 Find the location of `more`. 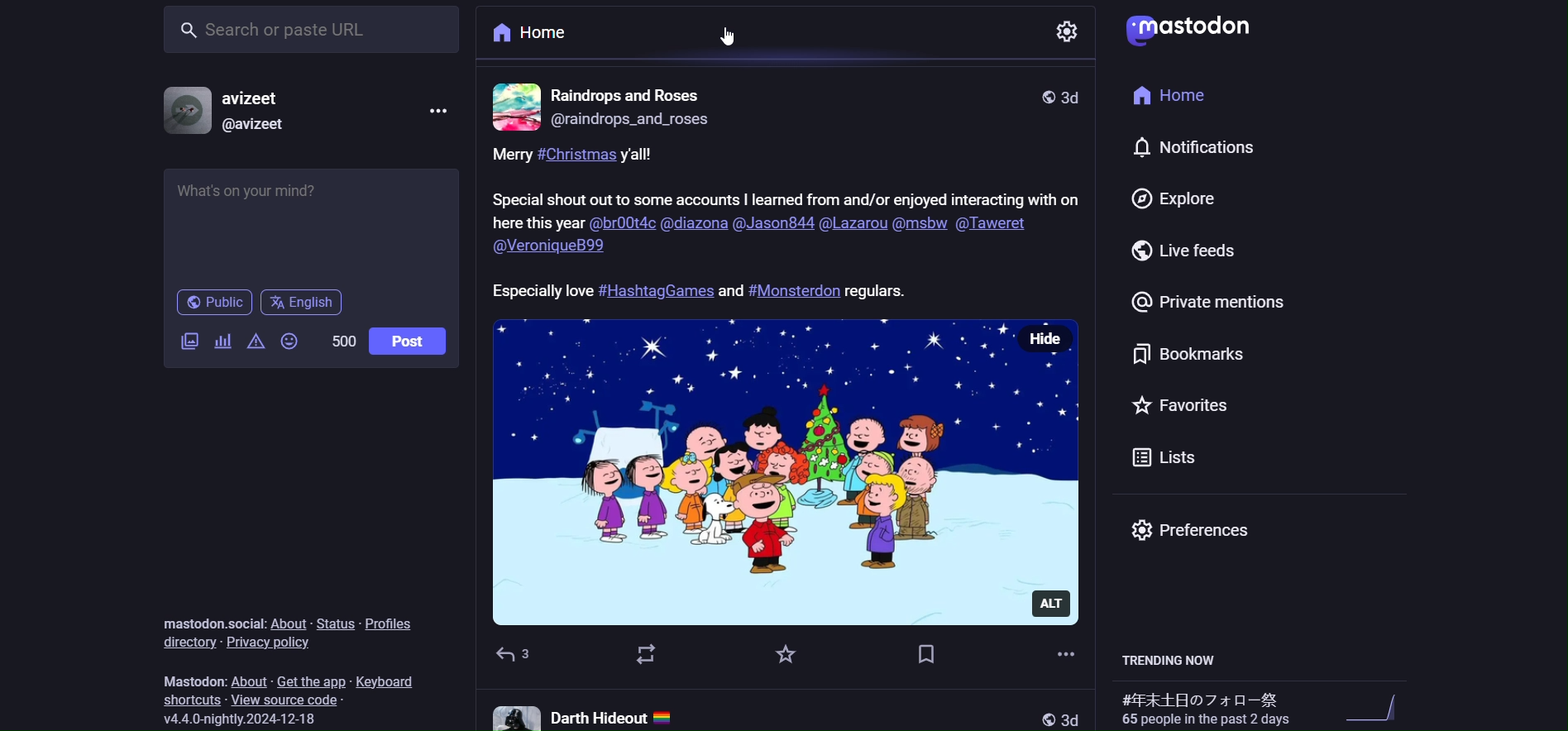

more is located at coordinates (1065, 652).